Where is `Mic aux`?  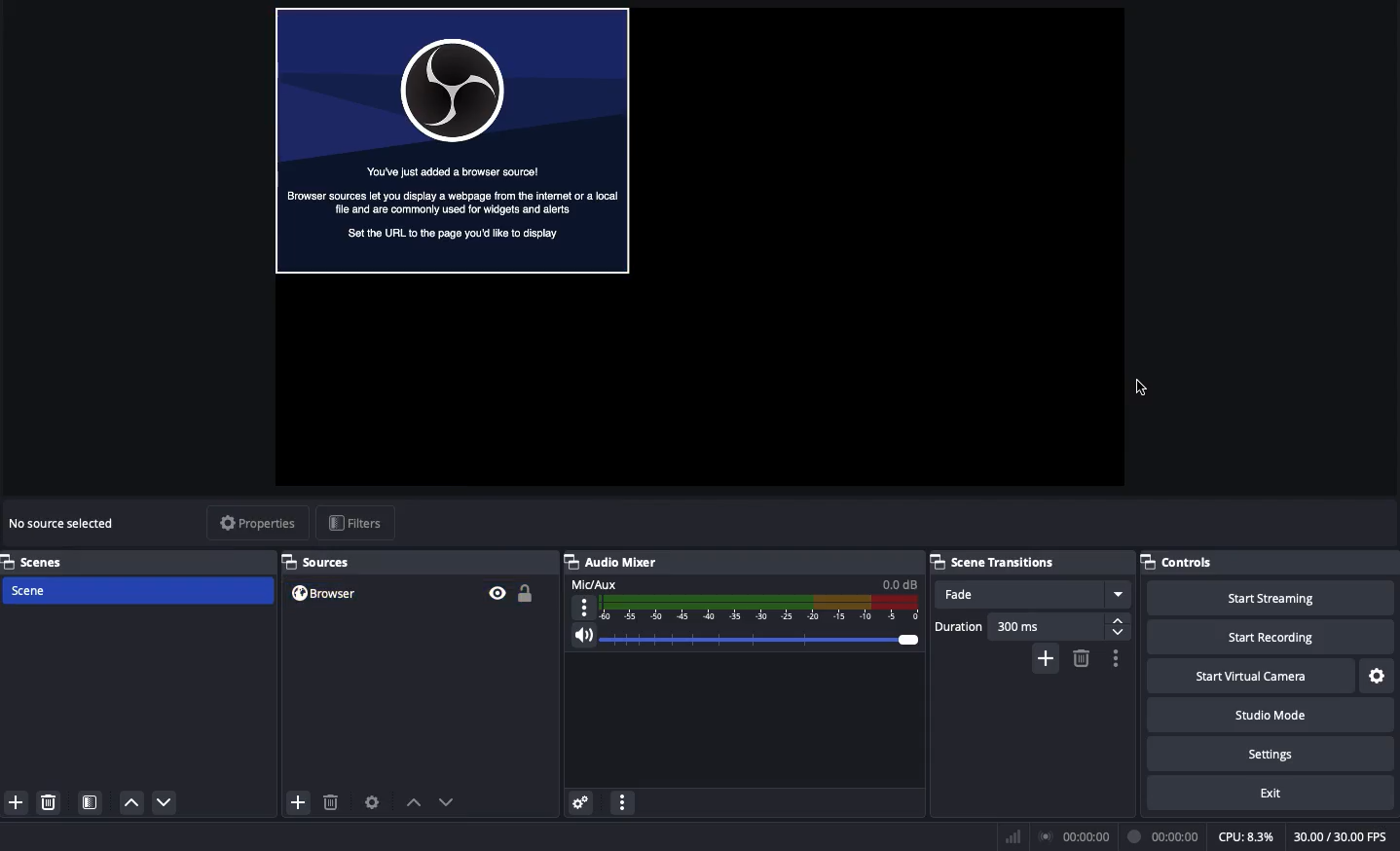
Mic aux is located at coordinates (741, 600).